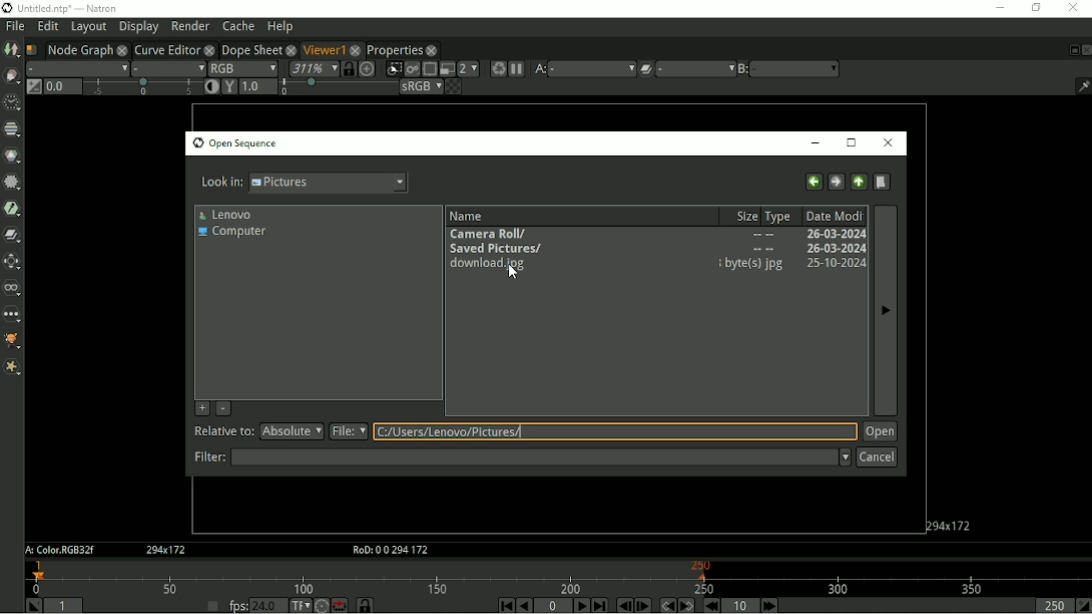 This screenshot has height=614, width=1092. Describe the element at coordinates (623, 606) in the screenshot. I see `Previous frame` at that location.